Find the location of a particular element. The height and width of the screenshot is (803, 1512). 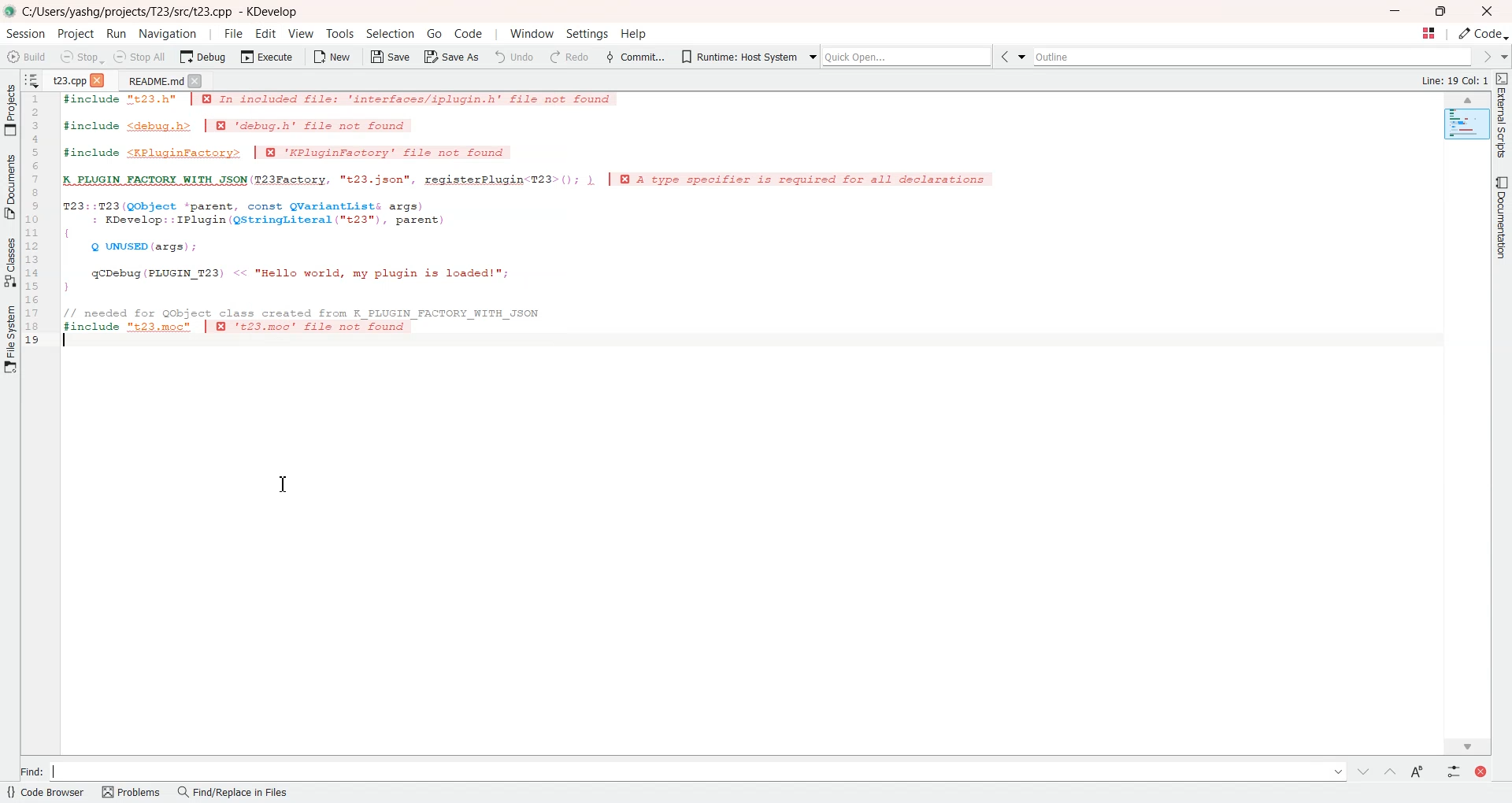

Quick open is located at coordinates (909, 57).